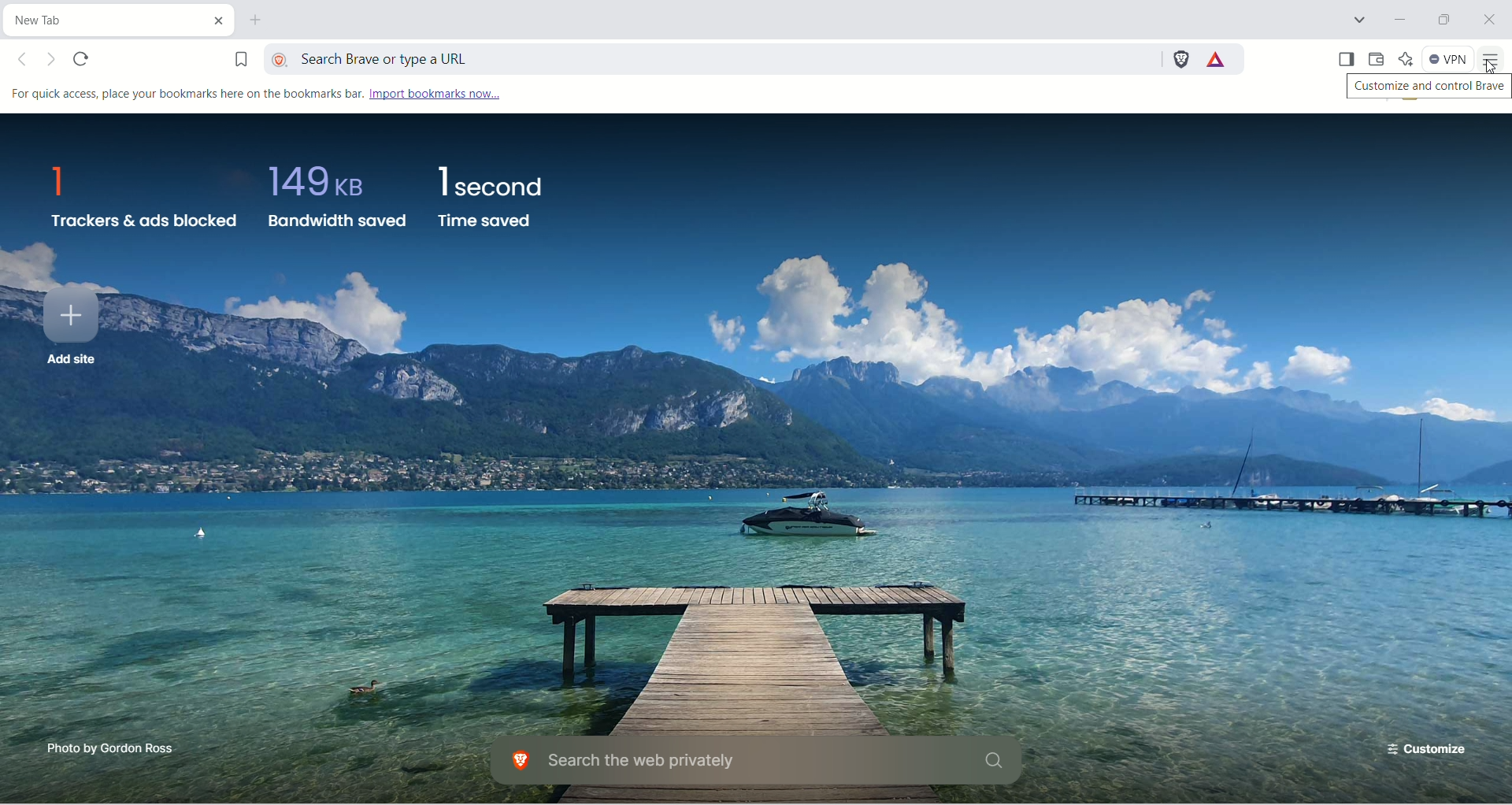 This screenshot has height=805, width=1512. What do you see at coordinates (54, 61) in the screenshot?
I see `go forward` at bounding box center [54, 61].